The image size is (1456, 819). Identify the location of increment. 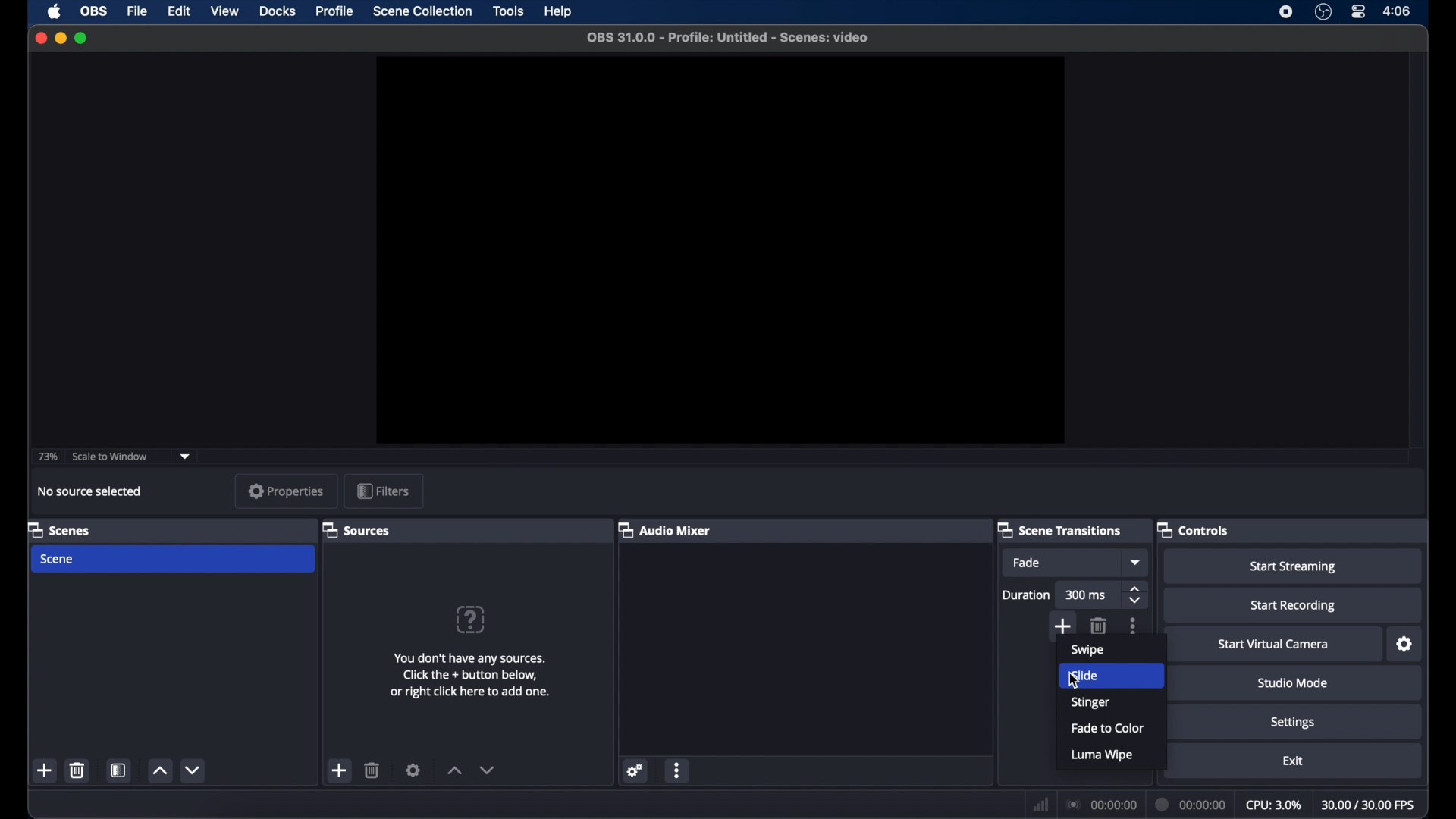
(453, 770).